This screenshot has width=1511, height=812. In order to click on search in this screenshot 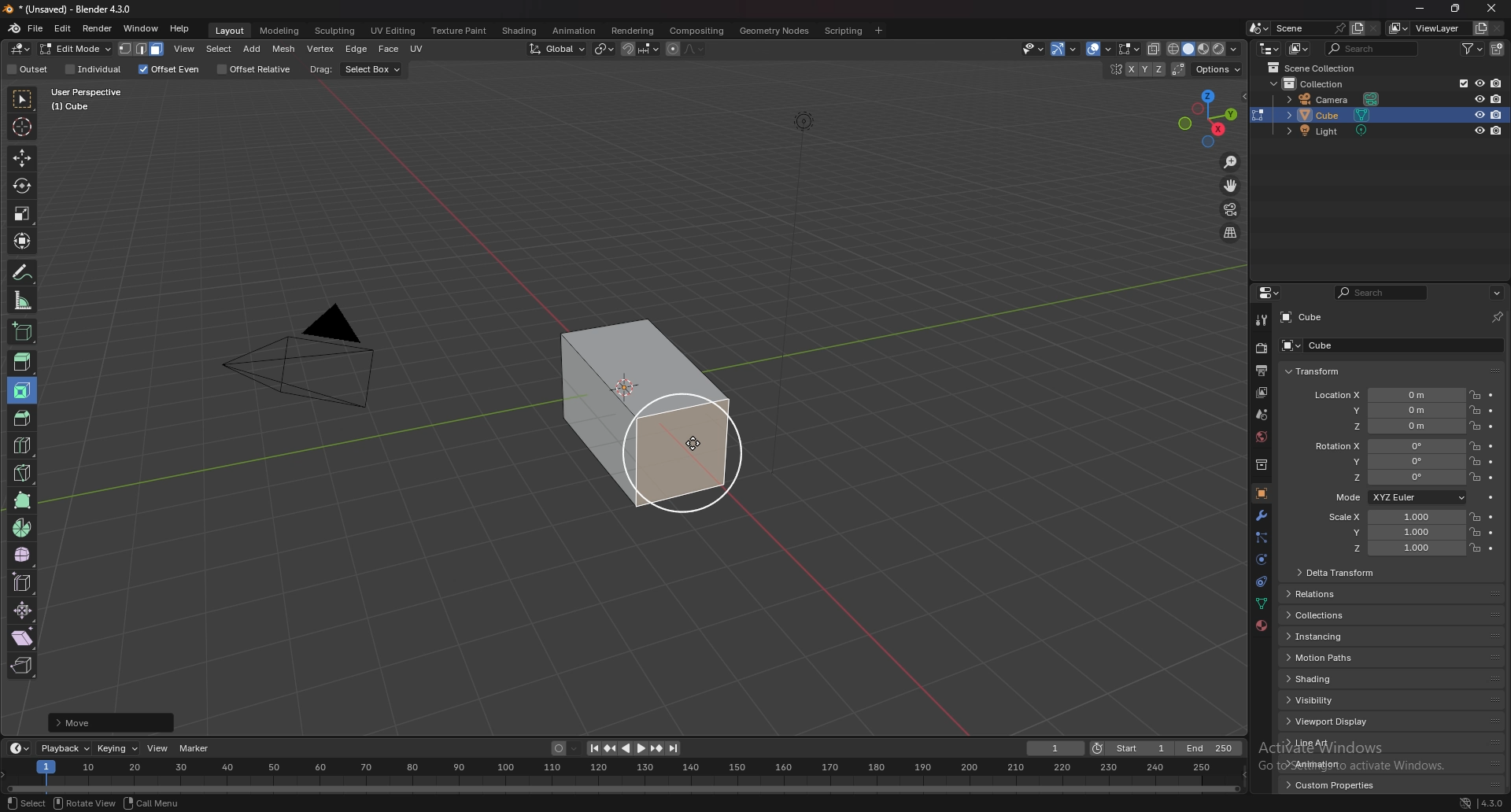, I will do `click(1372, 48)`.